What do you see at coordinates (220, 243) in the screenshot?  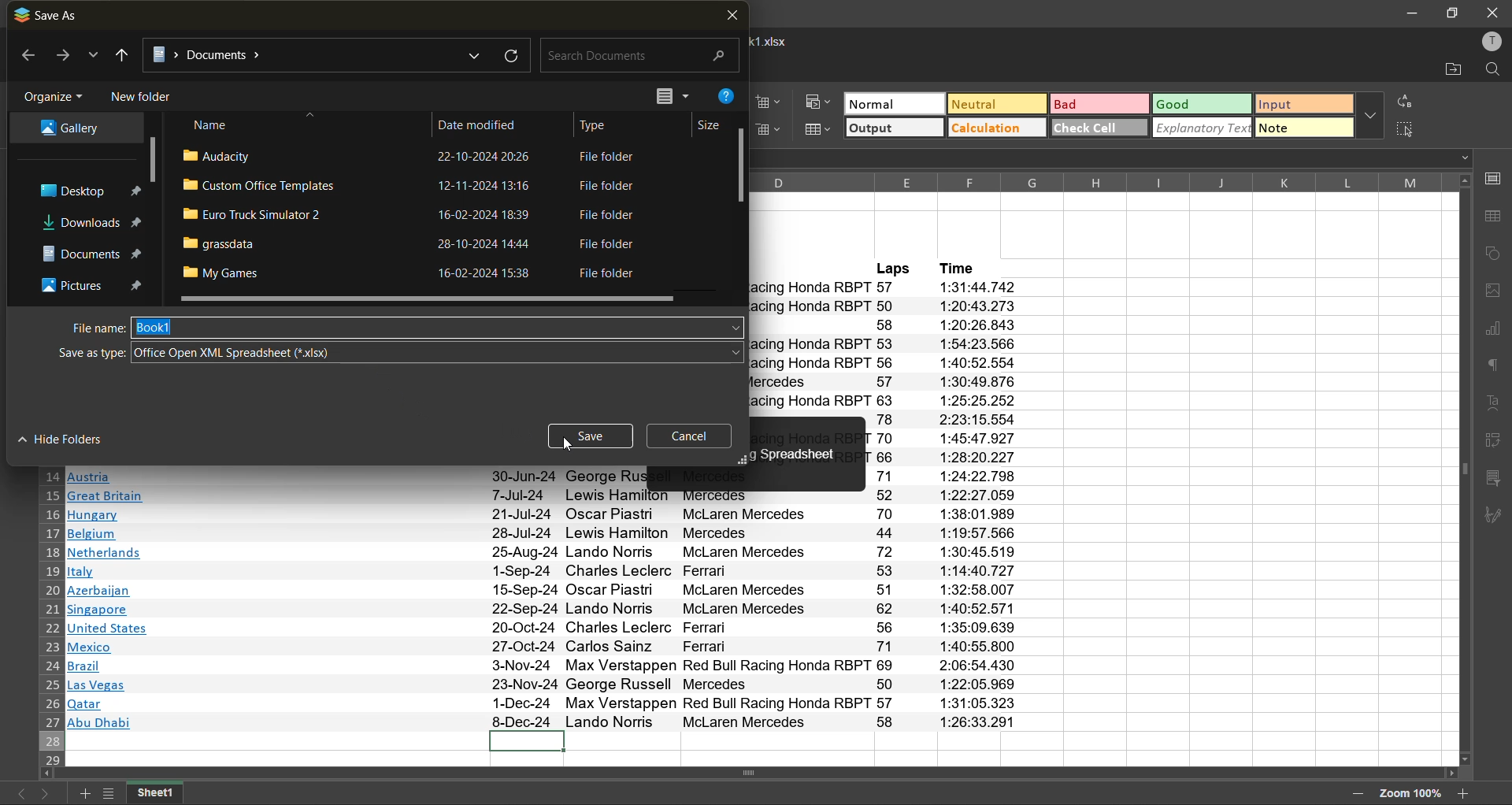 I see `grassdata` at bounding box center [220, 243].